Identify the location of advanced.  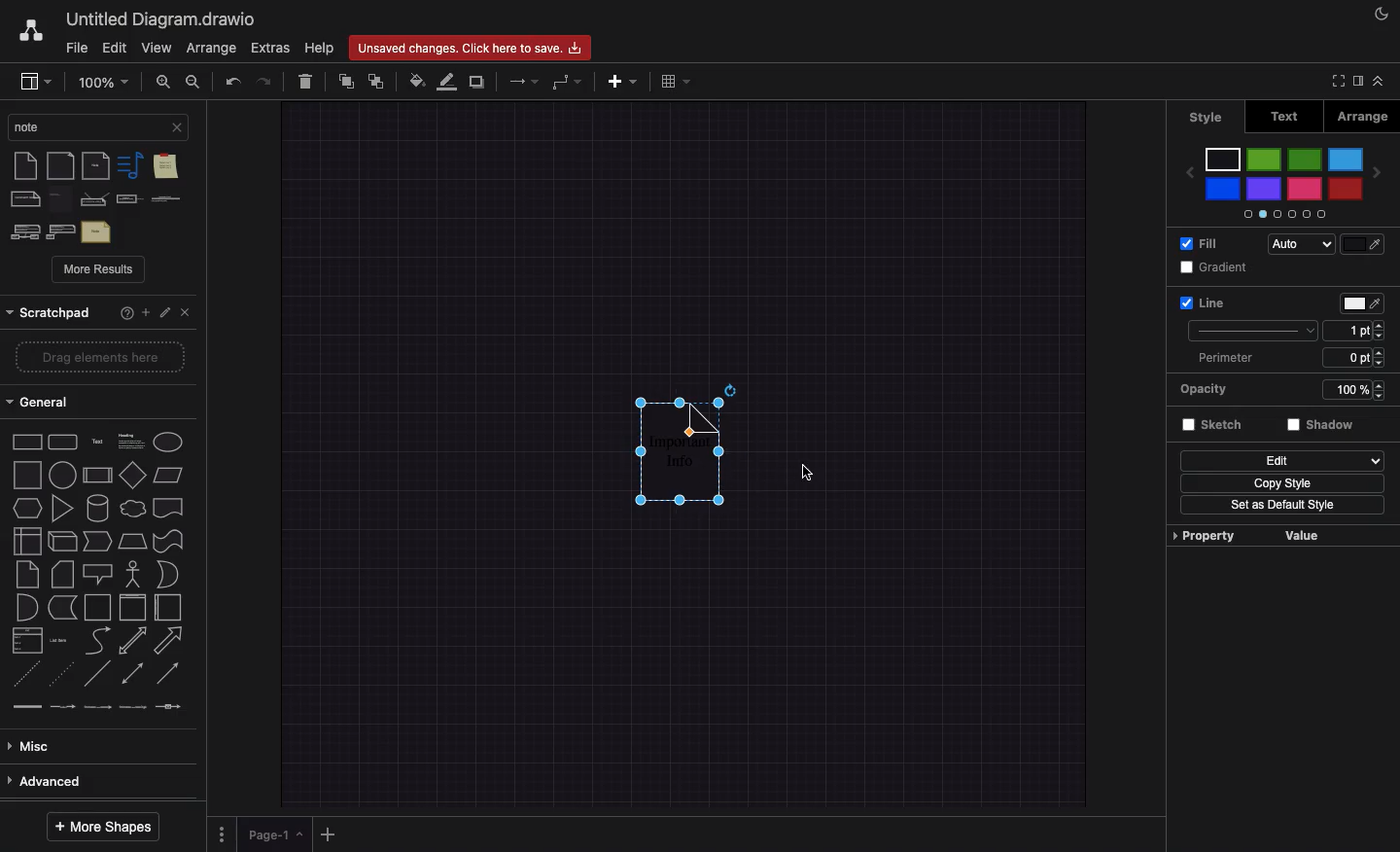
(90, 781).